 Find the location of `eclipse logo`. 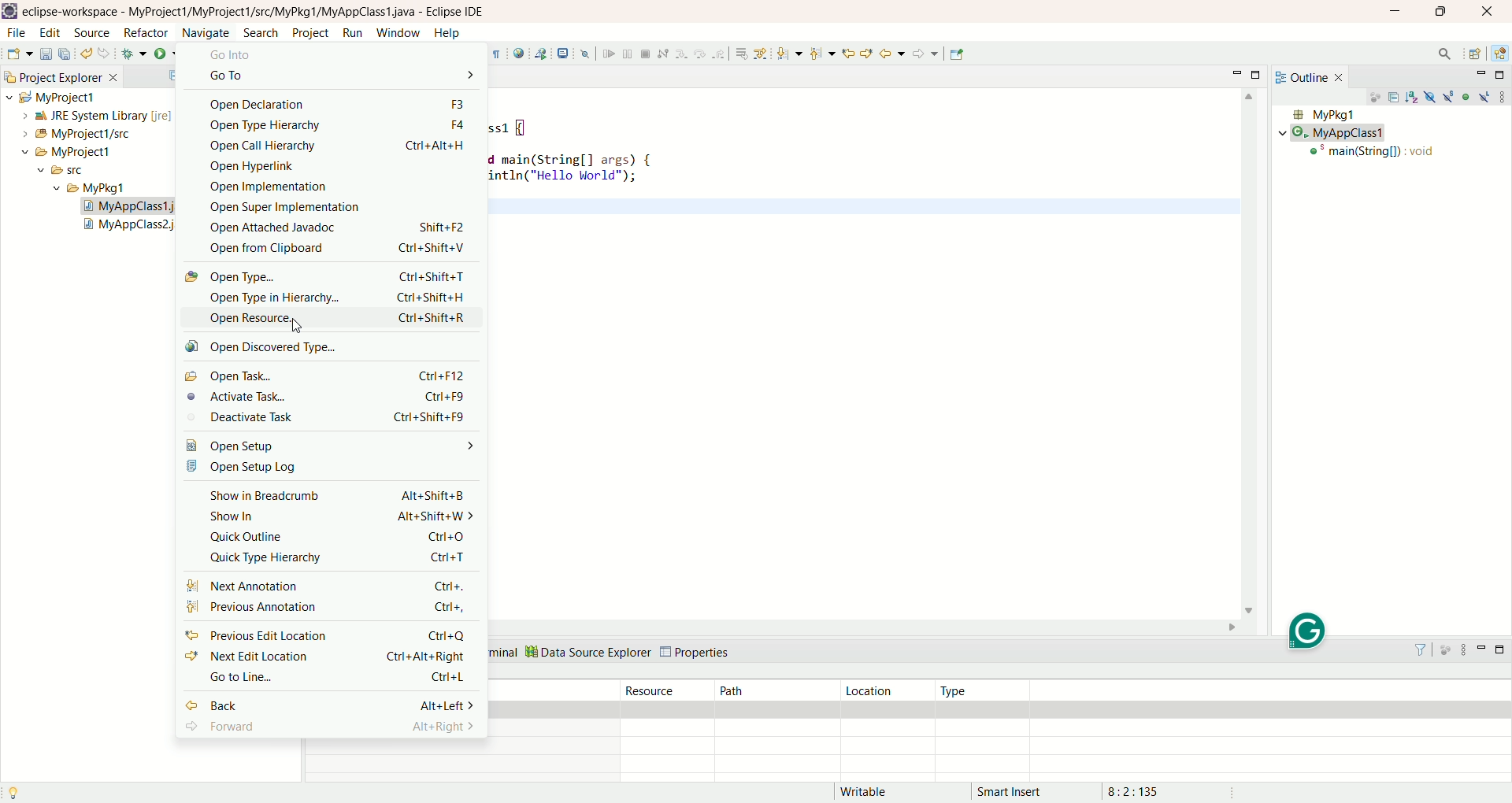

eclipse logo is located at coordinates (9, 11).